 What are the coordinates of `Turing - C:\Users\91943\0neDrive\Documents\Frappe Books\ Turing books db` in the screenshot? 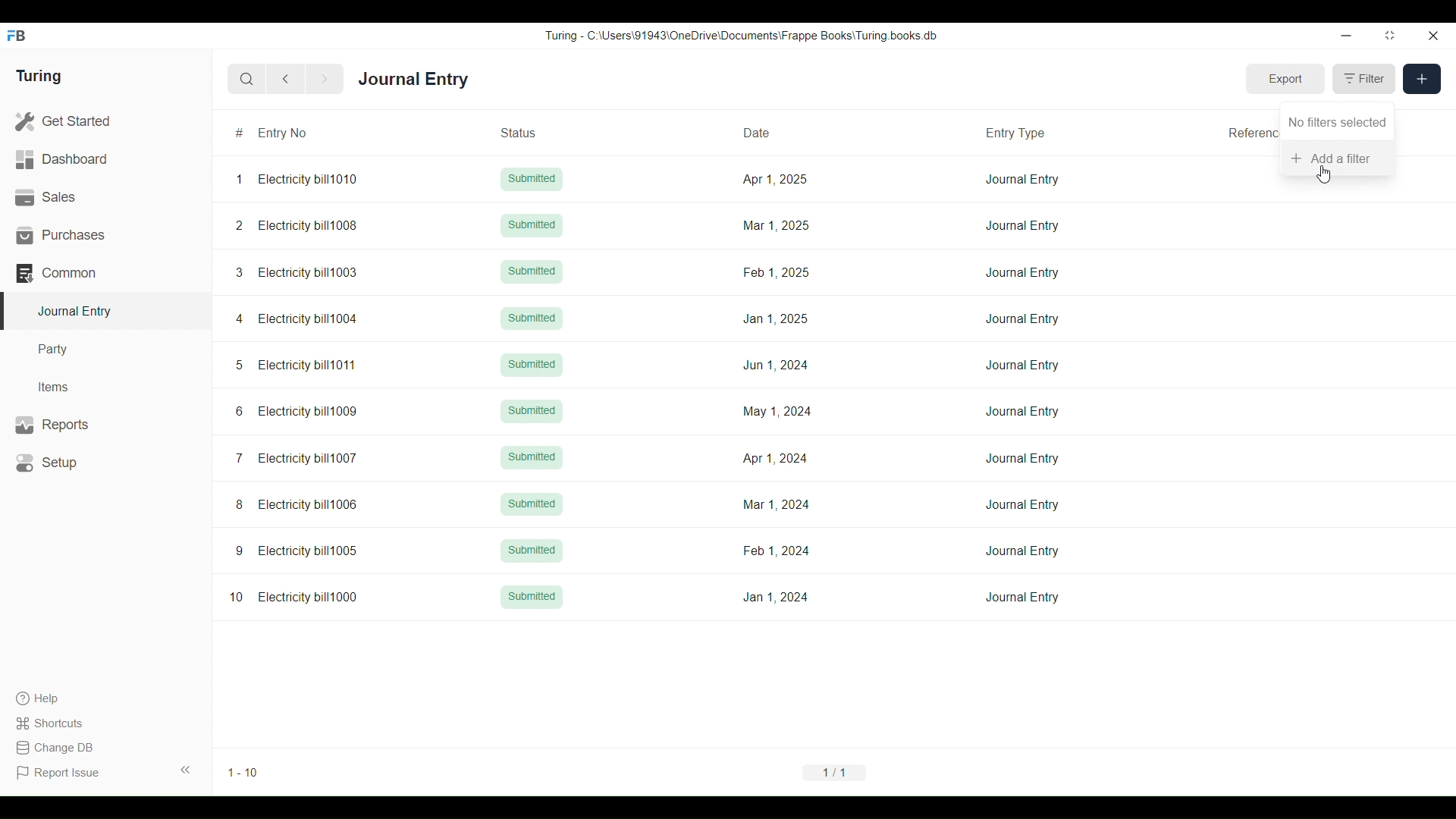 It's located at (740, 36).